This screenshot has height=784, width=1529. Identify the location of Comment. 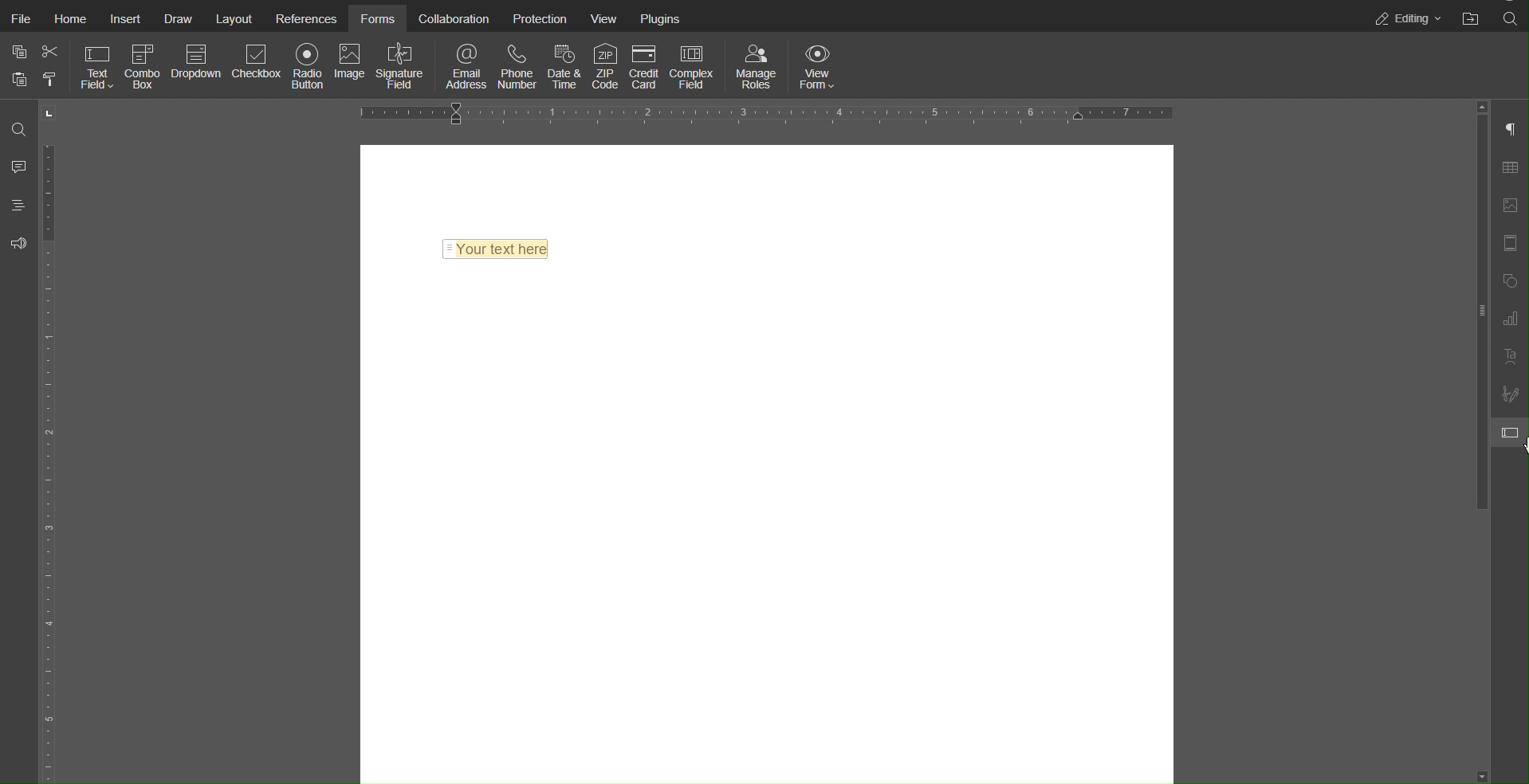
(19, 163).